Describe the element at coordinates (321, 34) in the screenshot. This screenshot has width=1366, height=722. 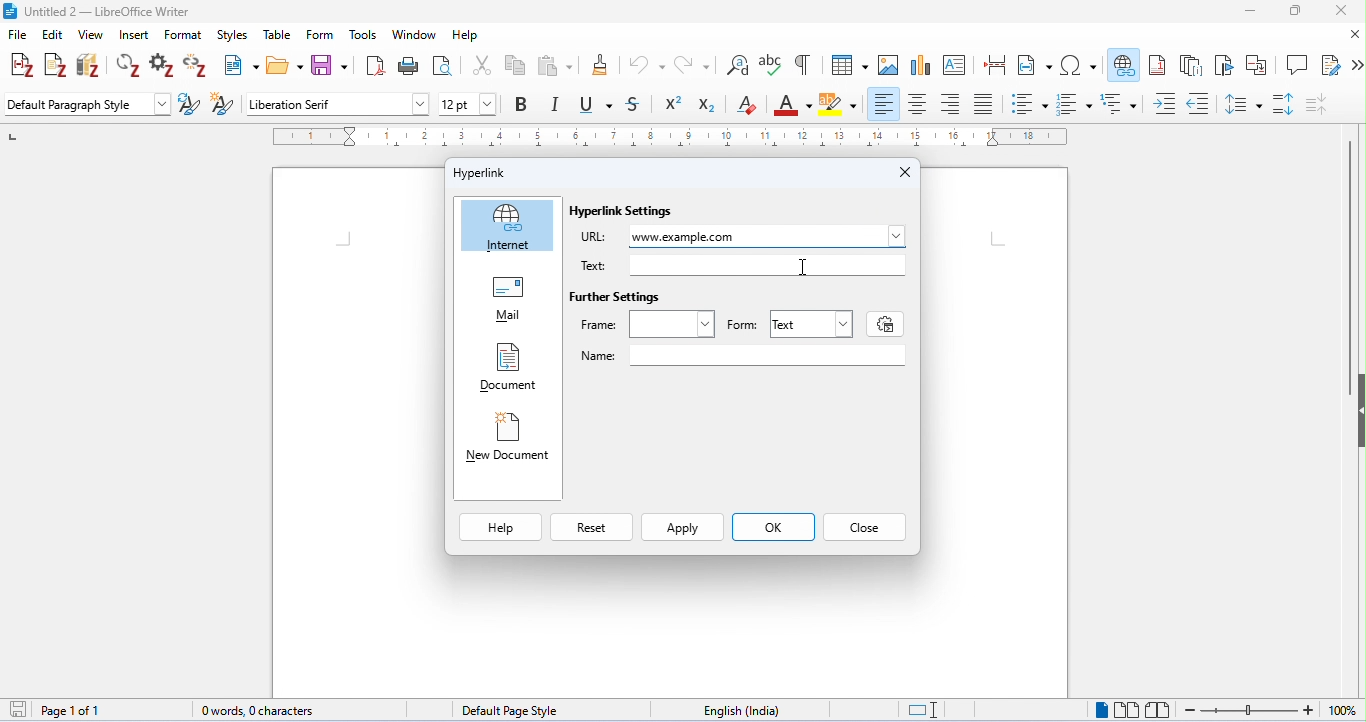
I see `form` at that location.